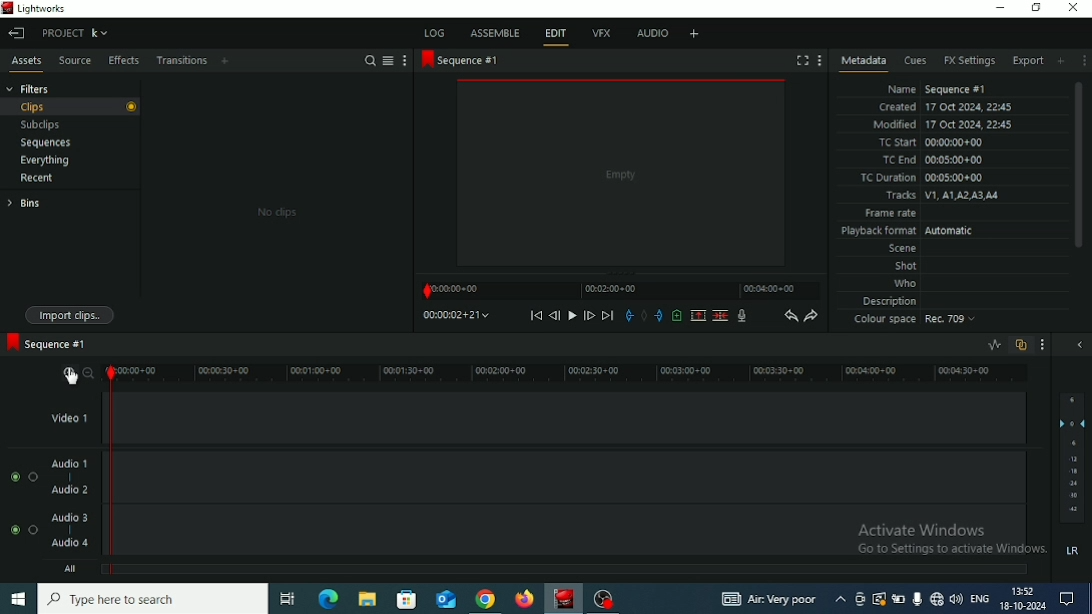 The image size is (1092, 614). I want to click on Notifications, so click(1067, 598).